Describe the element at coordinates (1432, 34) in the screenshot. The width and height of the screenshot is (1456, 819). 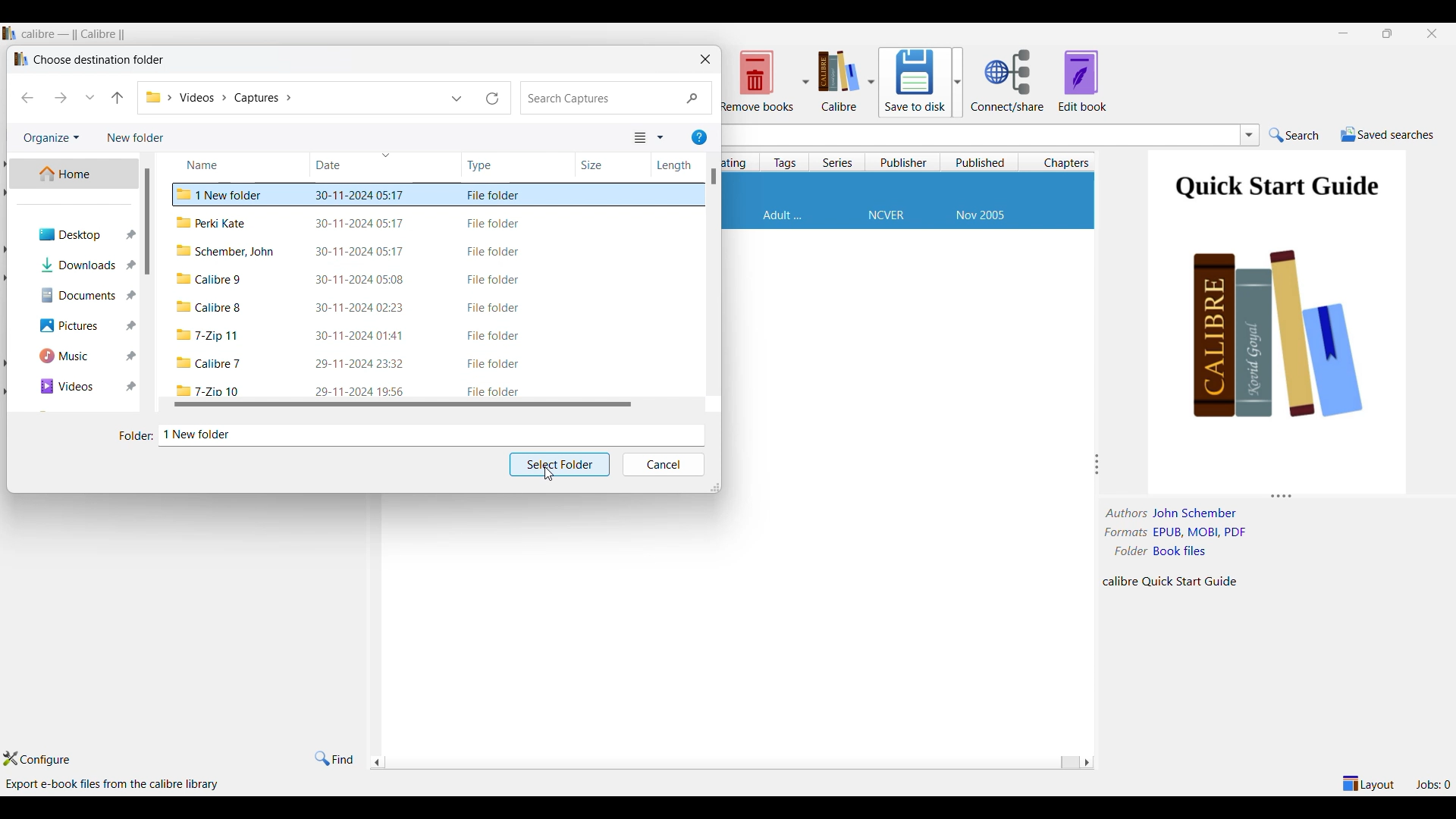
I see `Close interface` at that location.